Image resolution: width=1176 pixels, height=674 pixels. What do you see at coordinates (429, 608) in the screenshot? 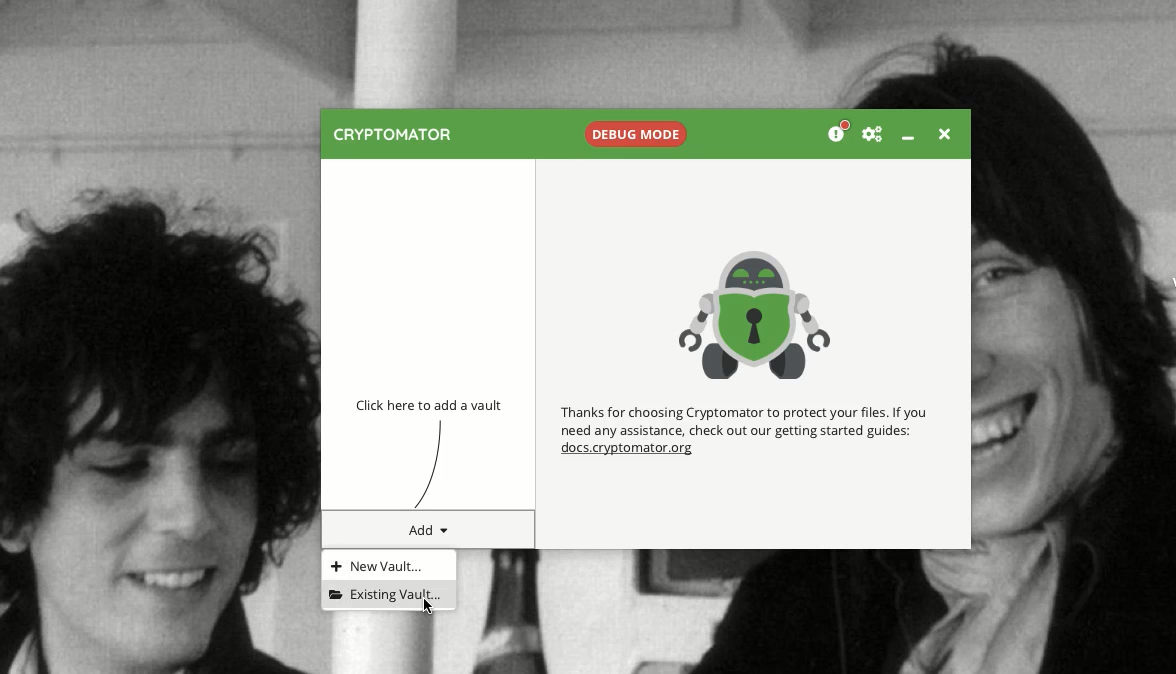
I see `Cursor` at bounding box center [429, 608].